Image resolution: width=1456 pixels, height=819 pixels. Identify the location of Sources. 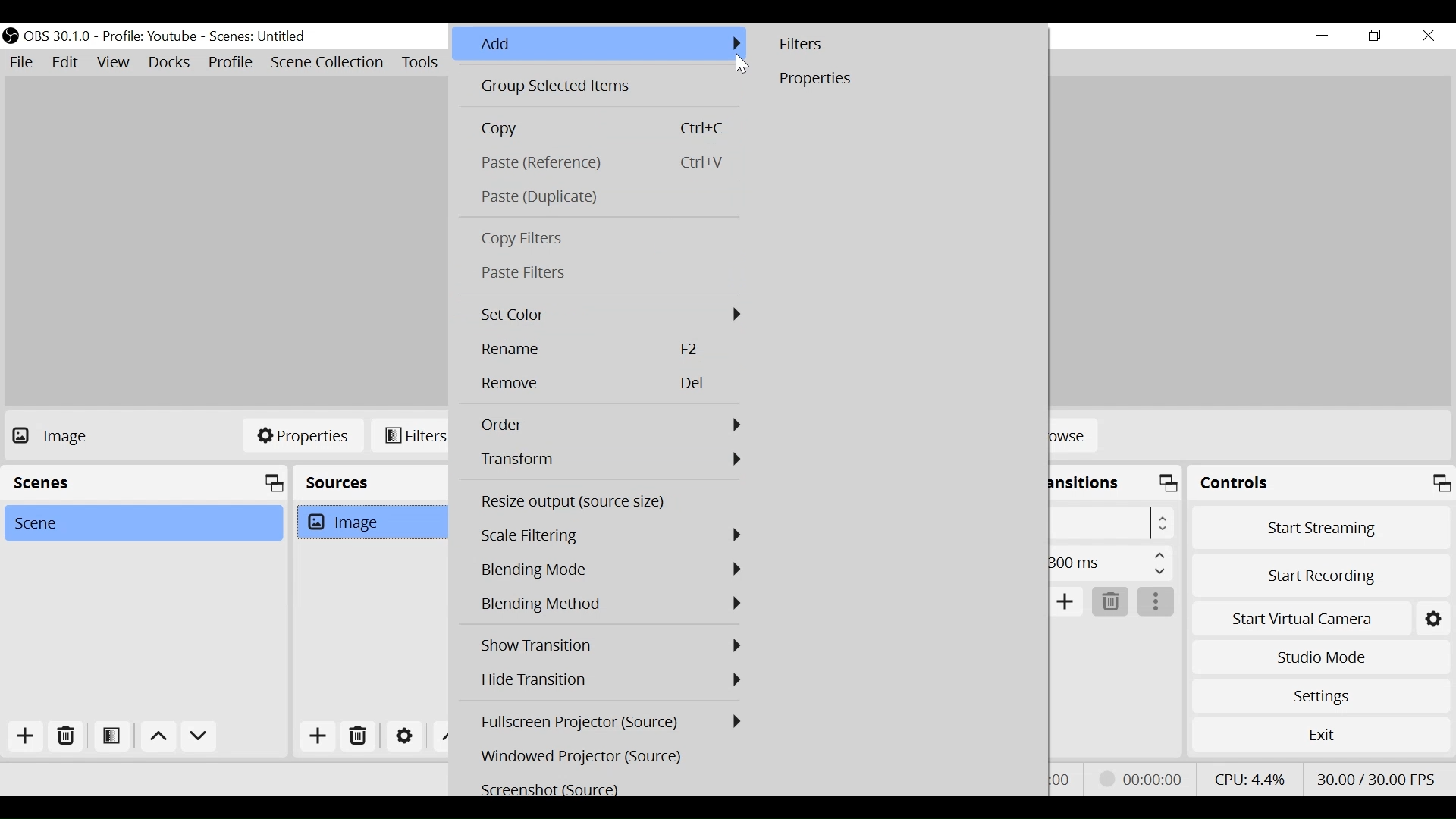
(363, 485).